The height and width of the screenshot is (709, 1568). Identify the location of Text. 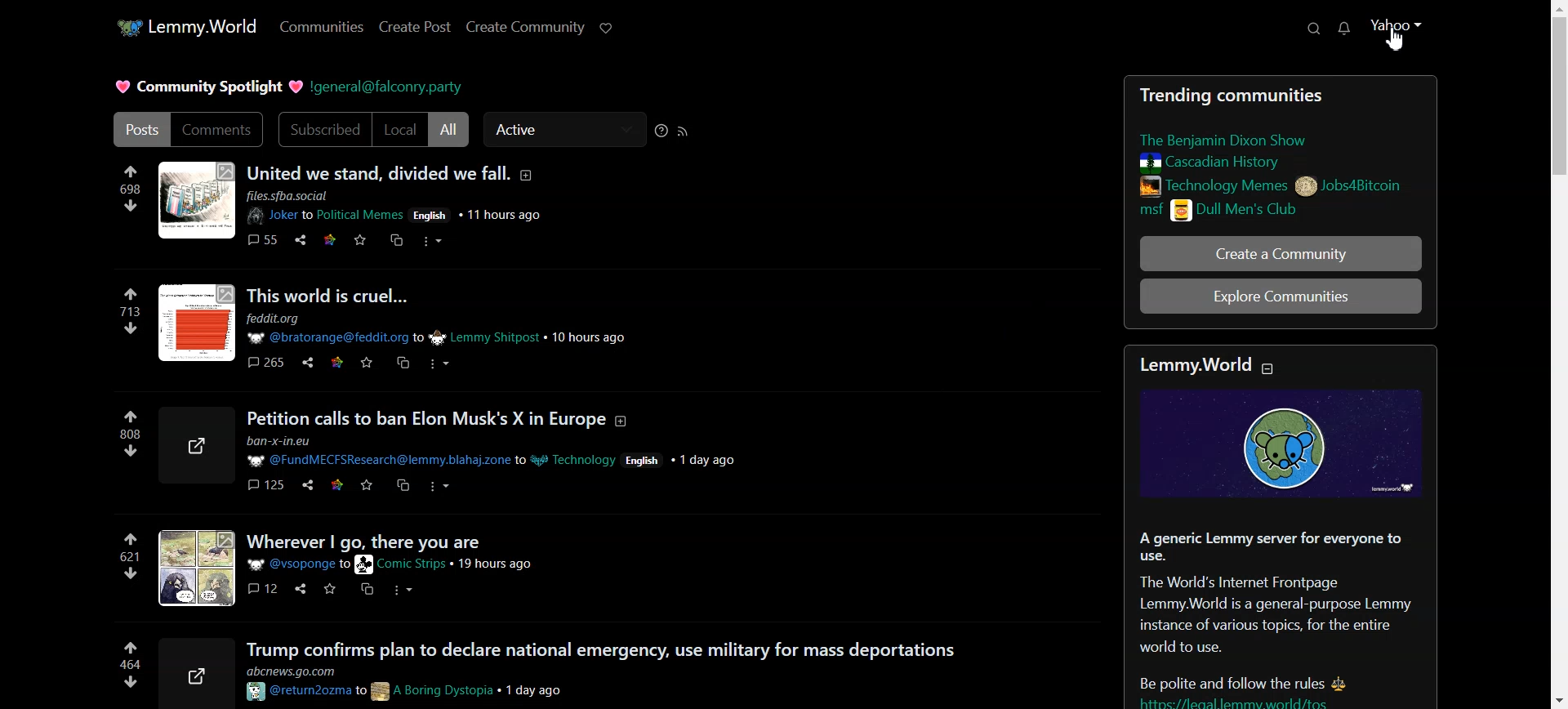
(207, 87).